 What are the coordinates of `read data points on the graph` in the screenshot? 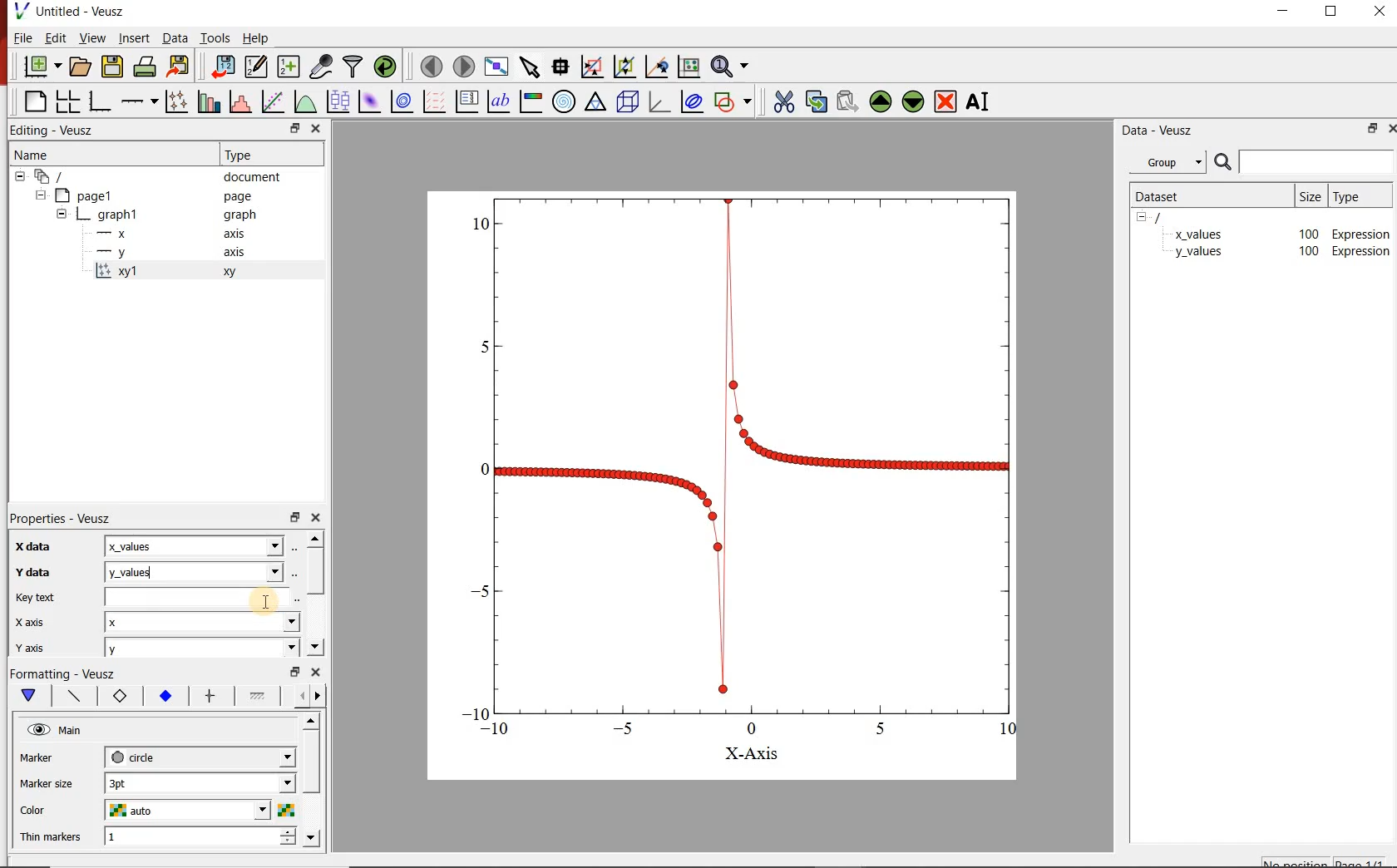 It's located at (561, 66).